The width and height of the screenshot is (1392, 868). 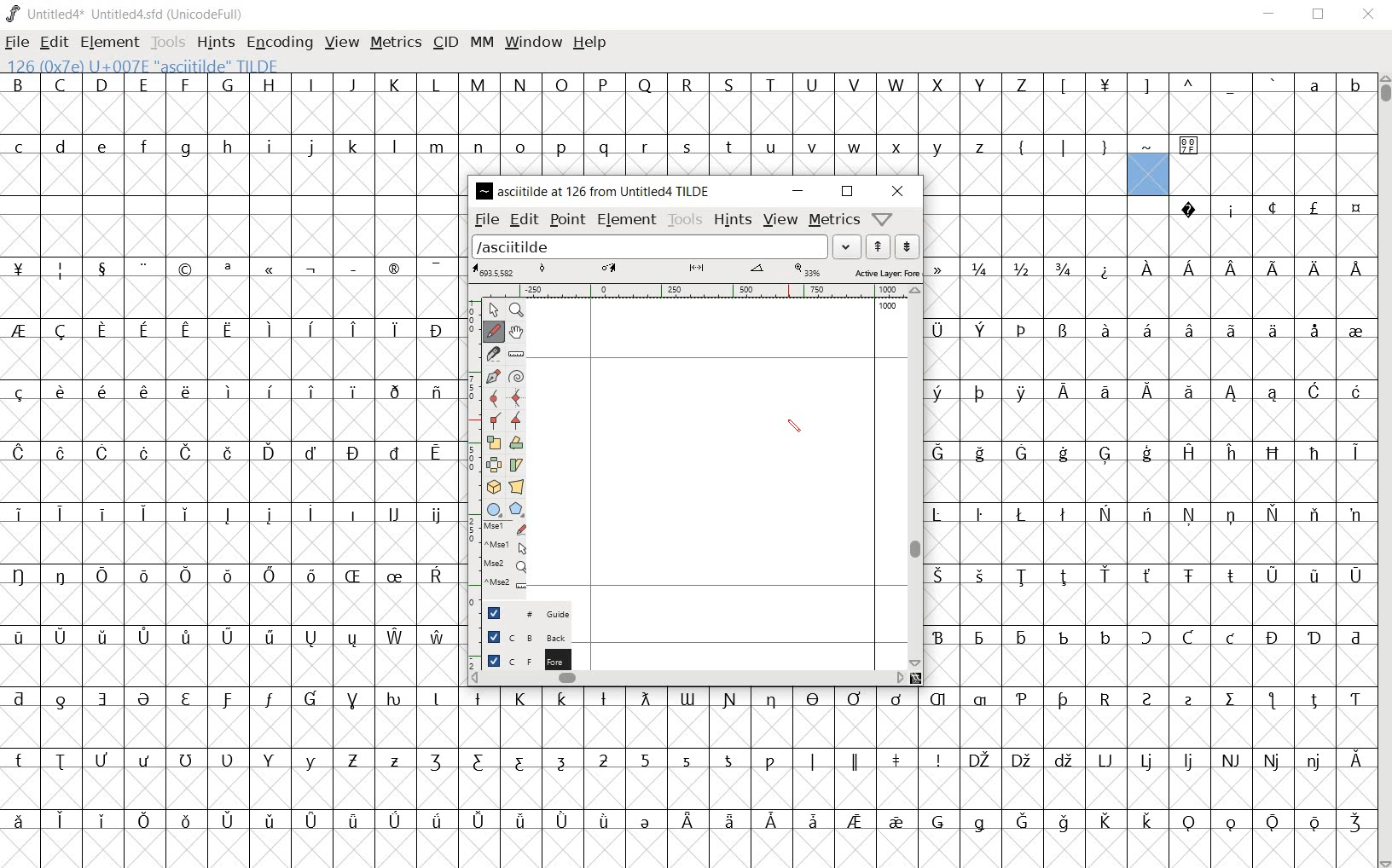 What do you see at coordinates (833, 221) in the screenshot?
I see `metrics` at bounding box center [833, 221].